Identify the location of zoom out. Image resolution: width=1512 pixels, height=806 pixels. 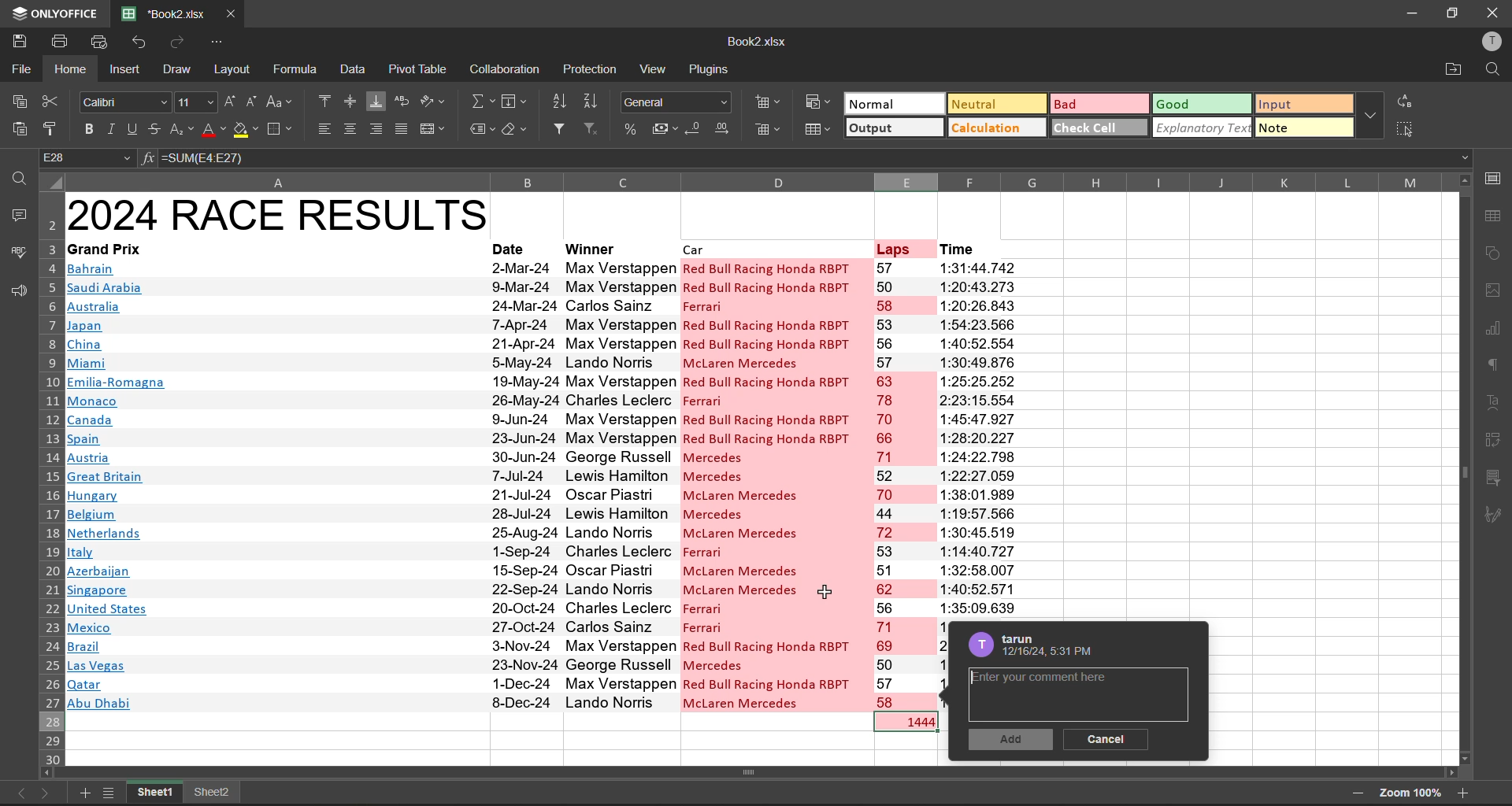
(1359, 793).